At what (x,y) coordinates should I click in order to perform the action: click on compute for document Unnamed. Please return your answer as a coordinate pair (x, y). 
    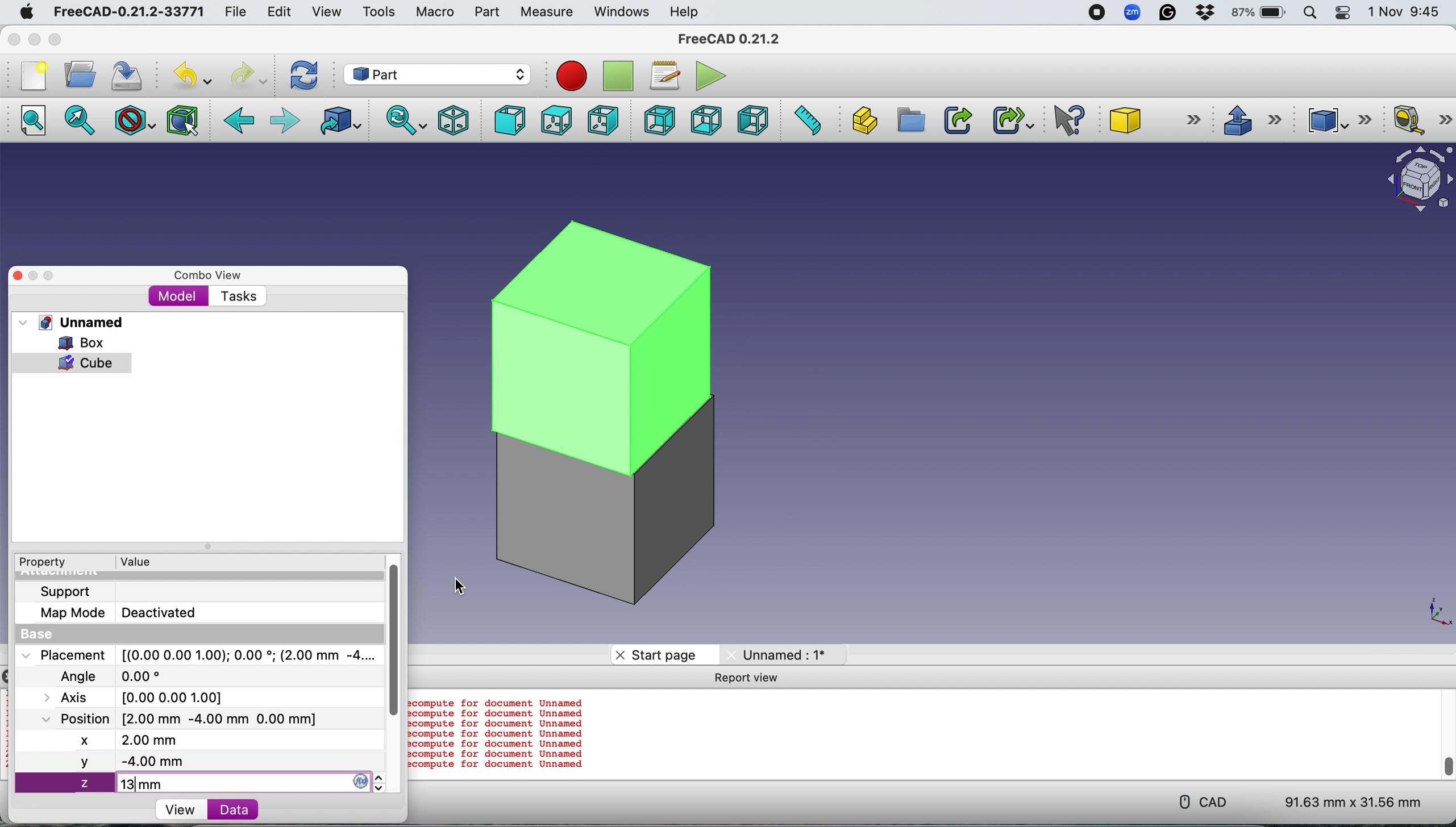
    Looking at the image, I should click on (498, 733).